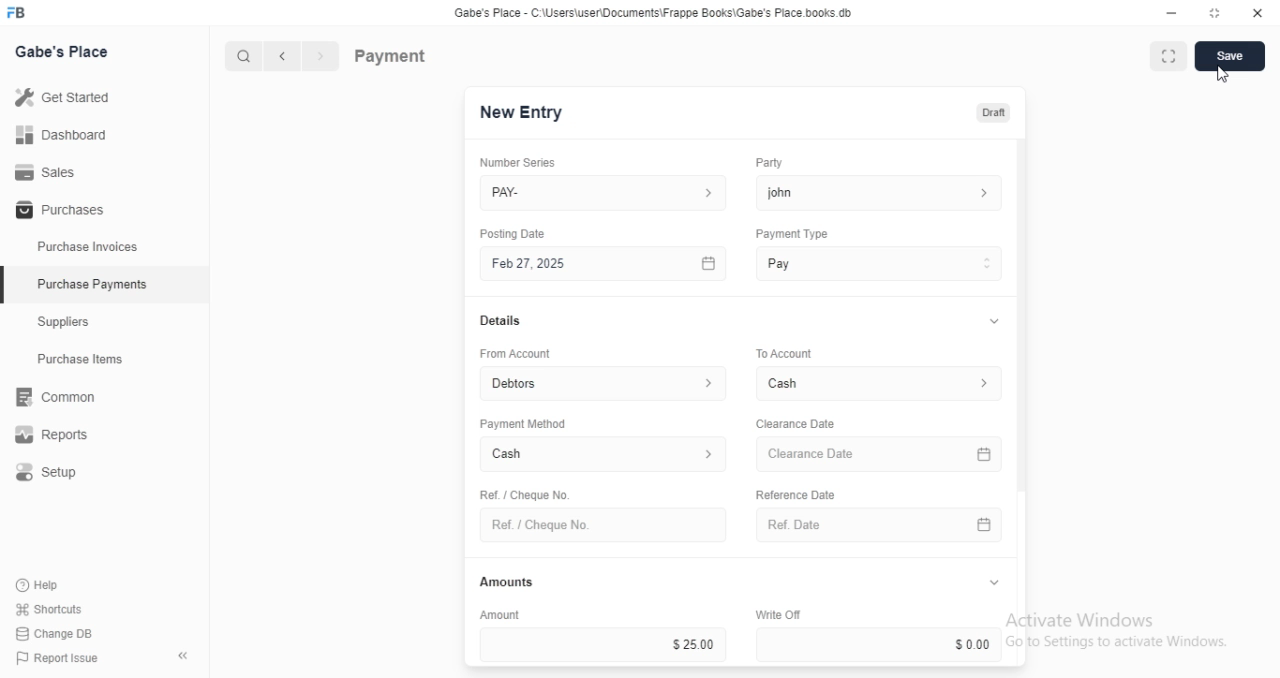 Image resolution: width=1280 pixels, height=678 pixels. Describe the element at coordinates (55, 398) in the screenshot. I see `Rit
Common` at that location.